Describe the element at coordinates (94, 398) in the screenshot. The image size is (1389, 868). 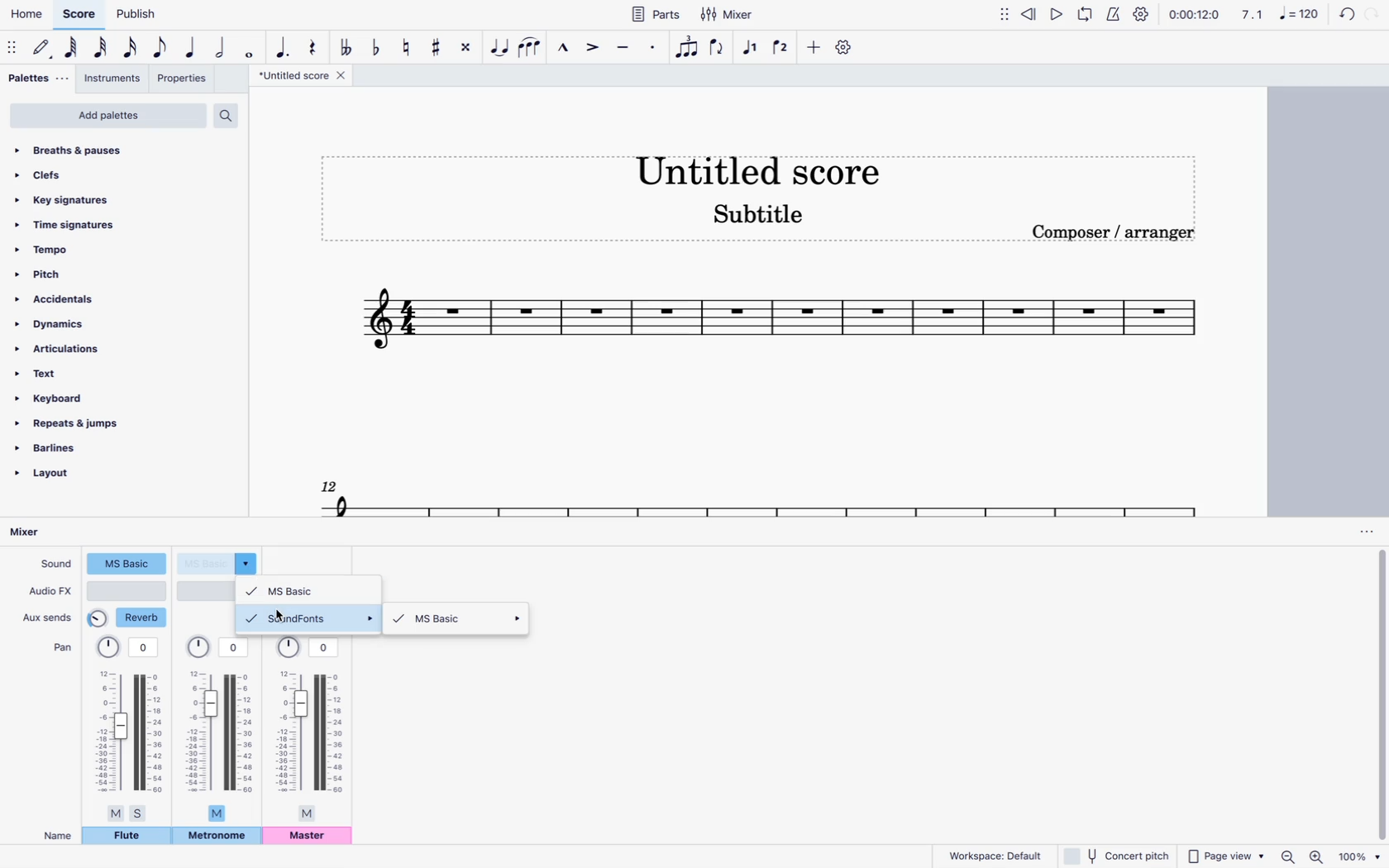
I see `keyboard` at that location.